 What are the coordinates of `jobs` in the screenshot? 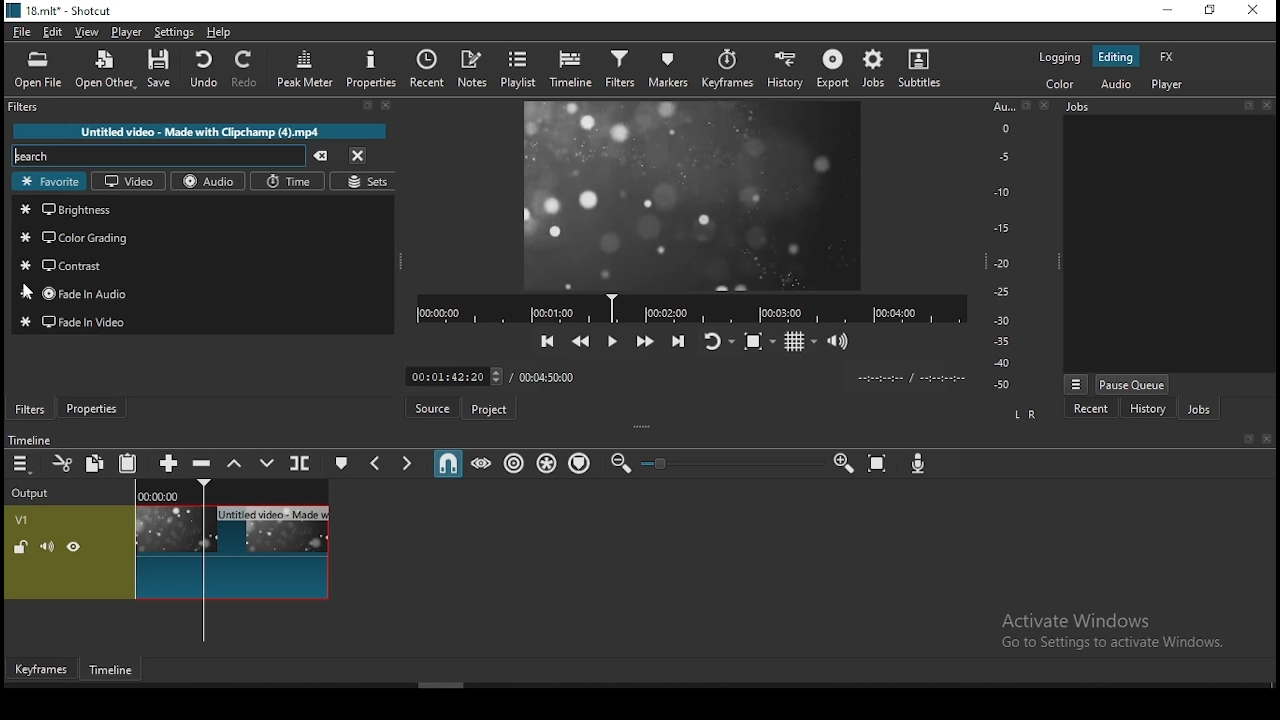 It's located at (874, 70).